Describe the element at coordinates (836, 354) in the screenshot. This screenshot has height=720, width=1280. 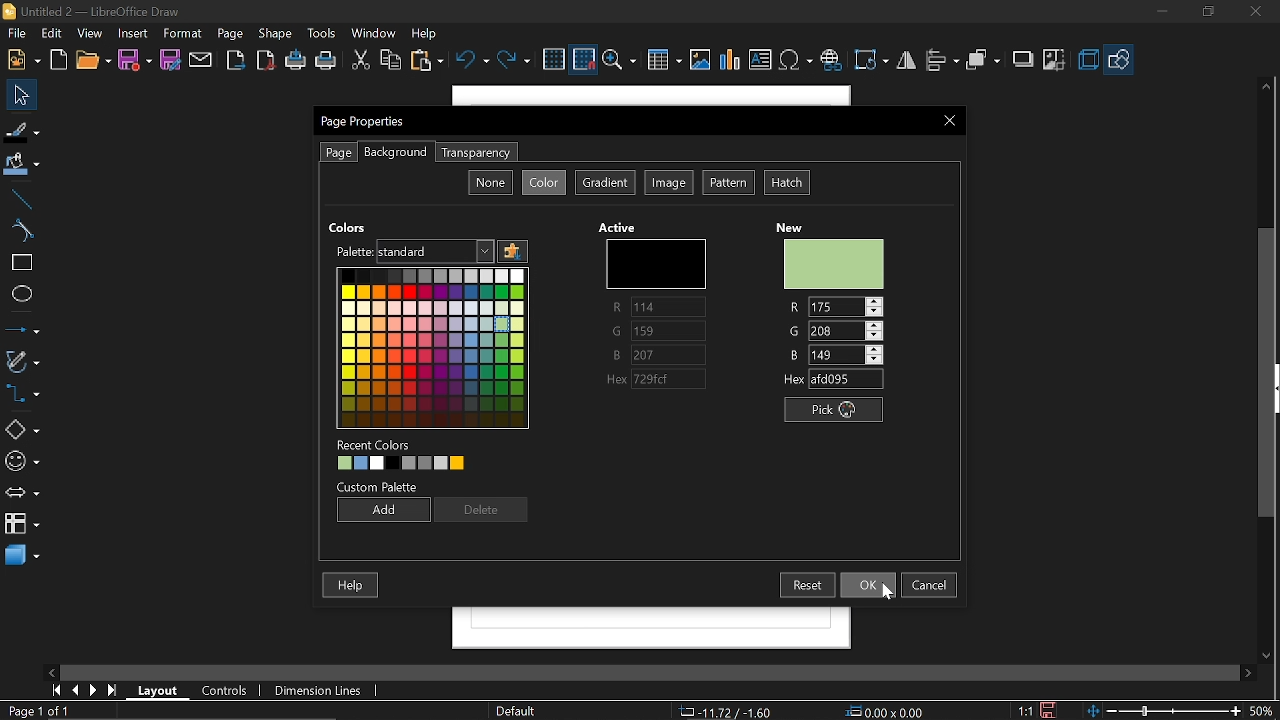
I see `B` at that location.